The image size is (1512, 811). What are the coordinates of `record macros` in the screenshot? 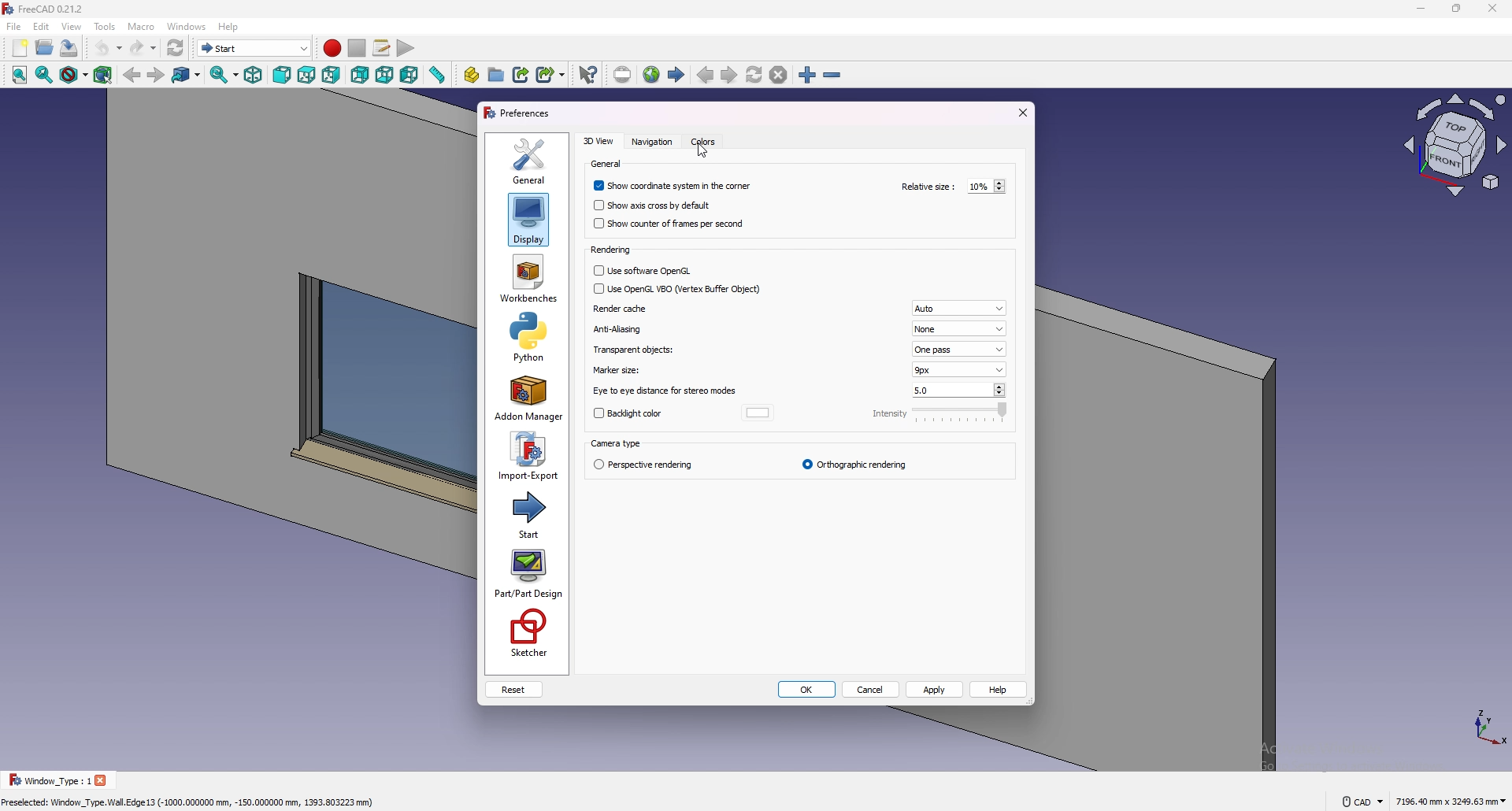 It's located at (332, 48).